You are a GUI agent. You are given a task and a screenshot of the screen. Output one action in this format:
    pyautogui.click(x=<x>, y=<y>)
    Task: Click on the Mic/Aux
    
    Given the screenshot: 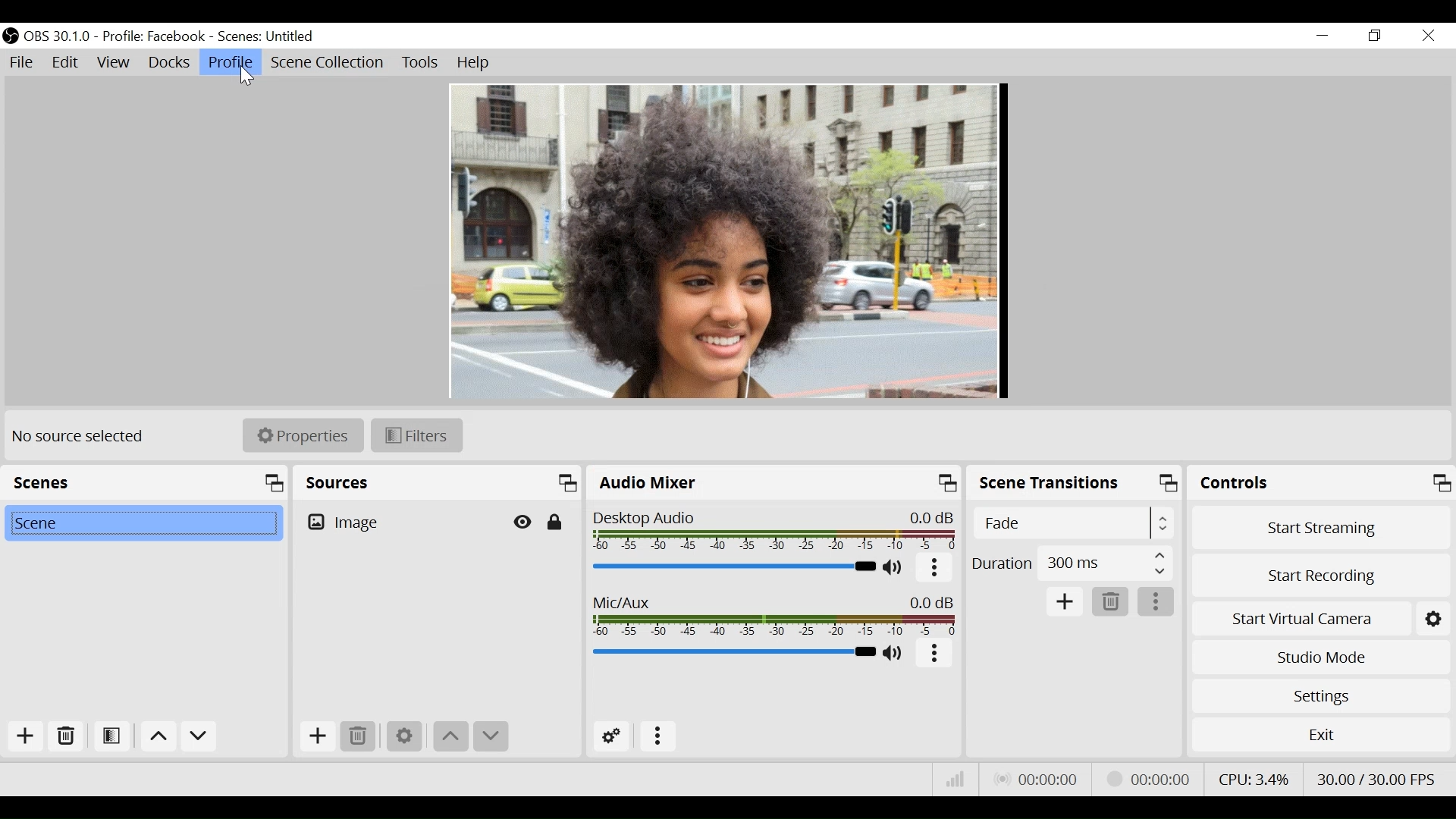 What is the action you would take?
    pyautogui.click(x=776, y=617)
    